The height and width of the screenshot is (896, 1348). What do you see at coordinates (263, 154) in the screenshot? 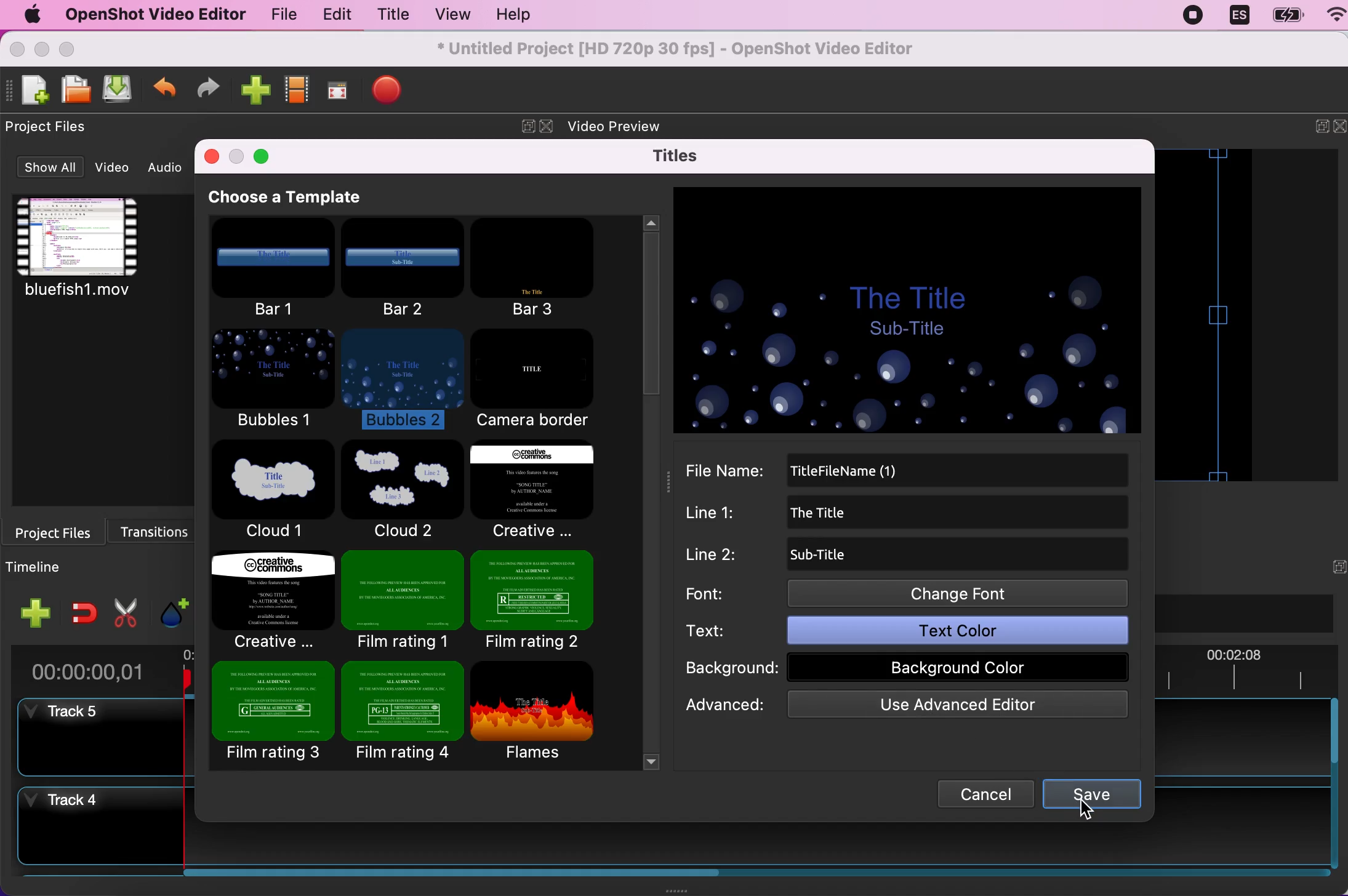
I see `maximize` at bounding box center [263, 154].